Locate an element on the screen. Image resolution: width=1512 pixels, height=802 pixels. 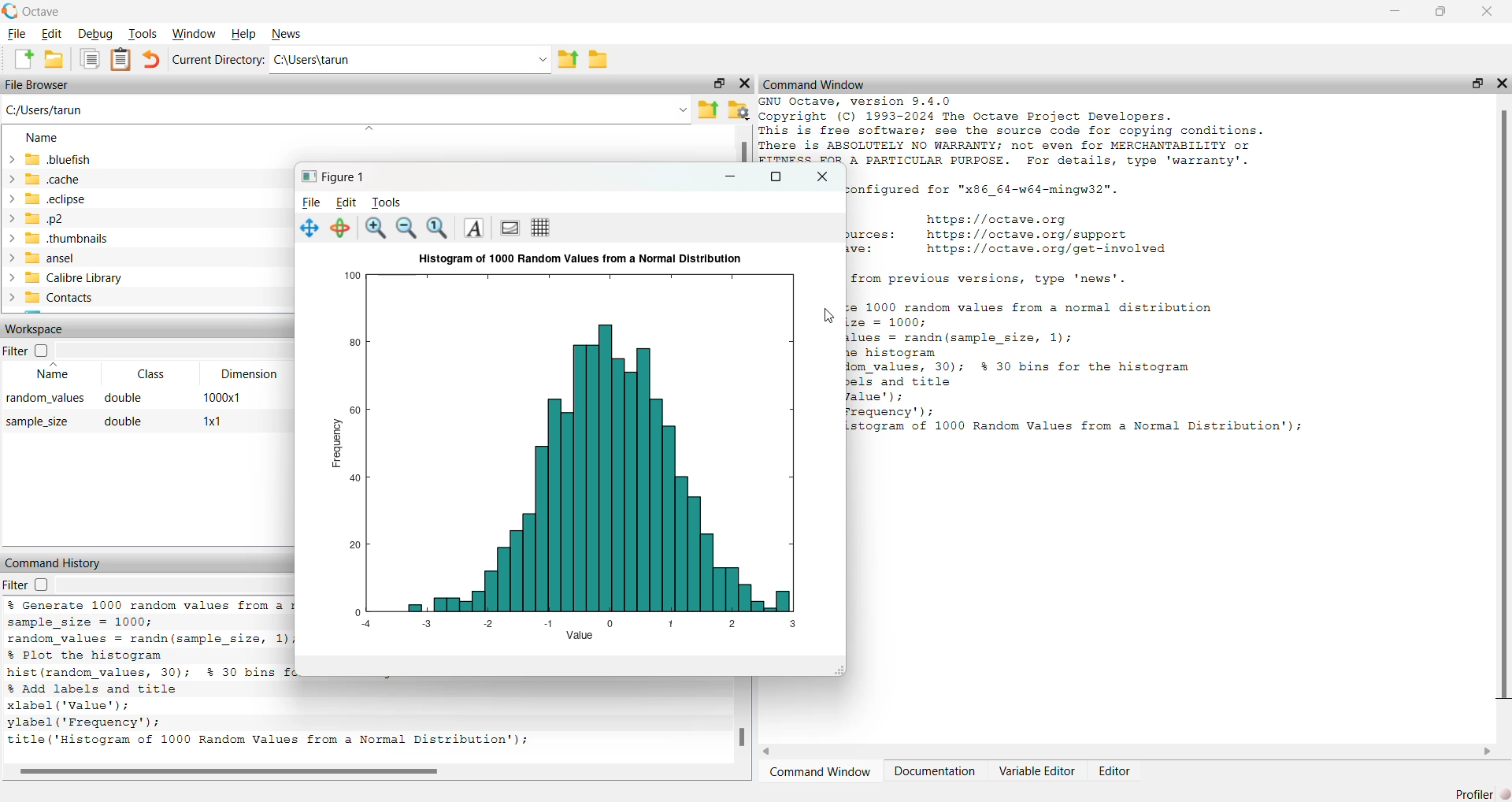
shaded view toogle is located at coordinates (509, 228).